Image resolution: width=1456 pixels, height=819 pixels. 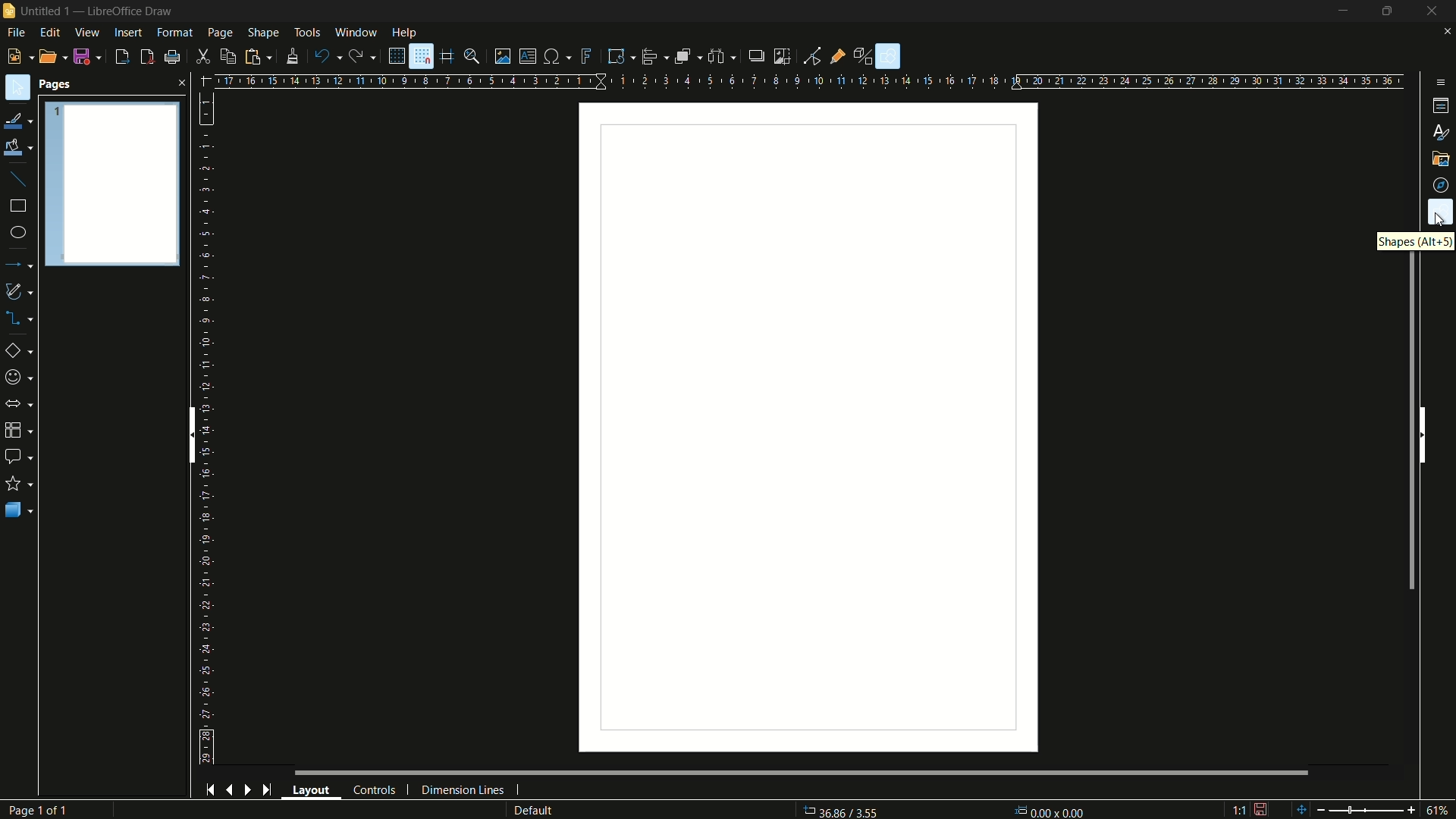 I want to click on insert special characters, so click(x=557, y=58).